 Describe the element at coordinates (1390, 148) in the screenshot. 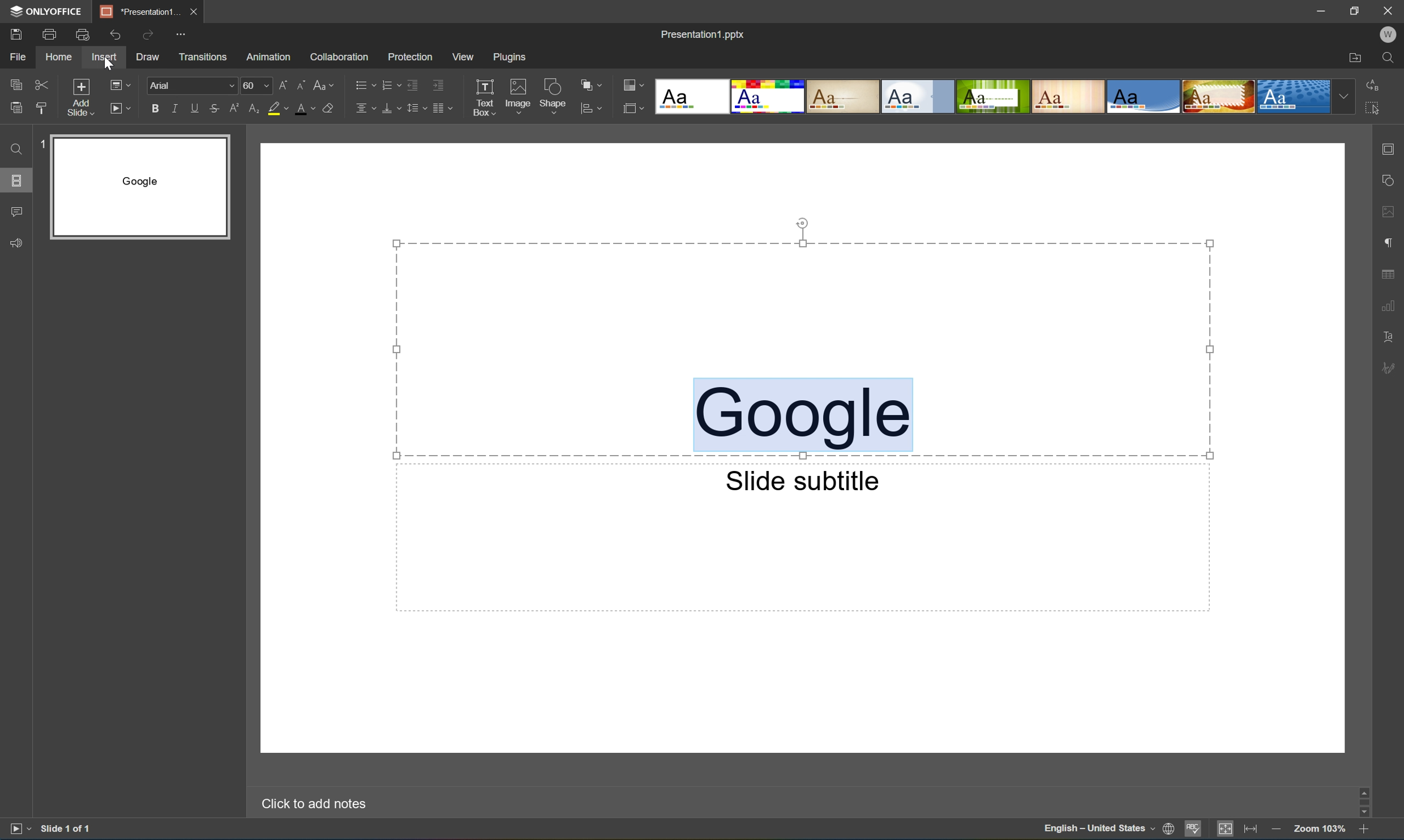

I see `Slide settings` at that location.